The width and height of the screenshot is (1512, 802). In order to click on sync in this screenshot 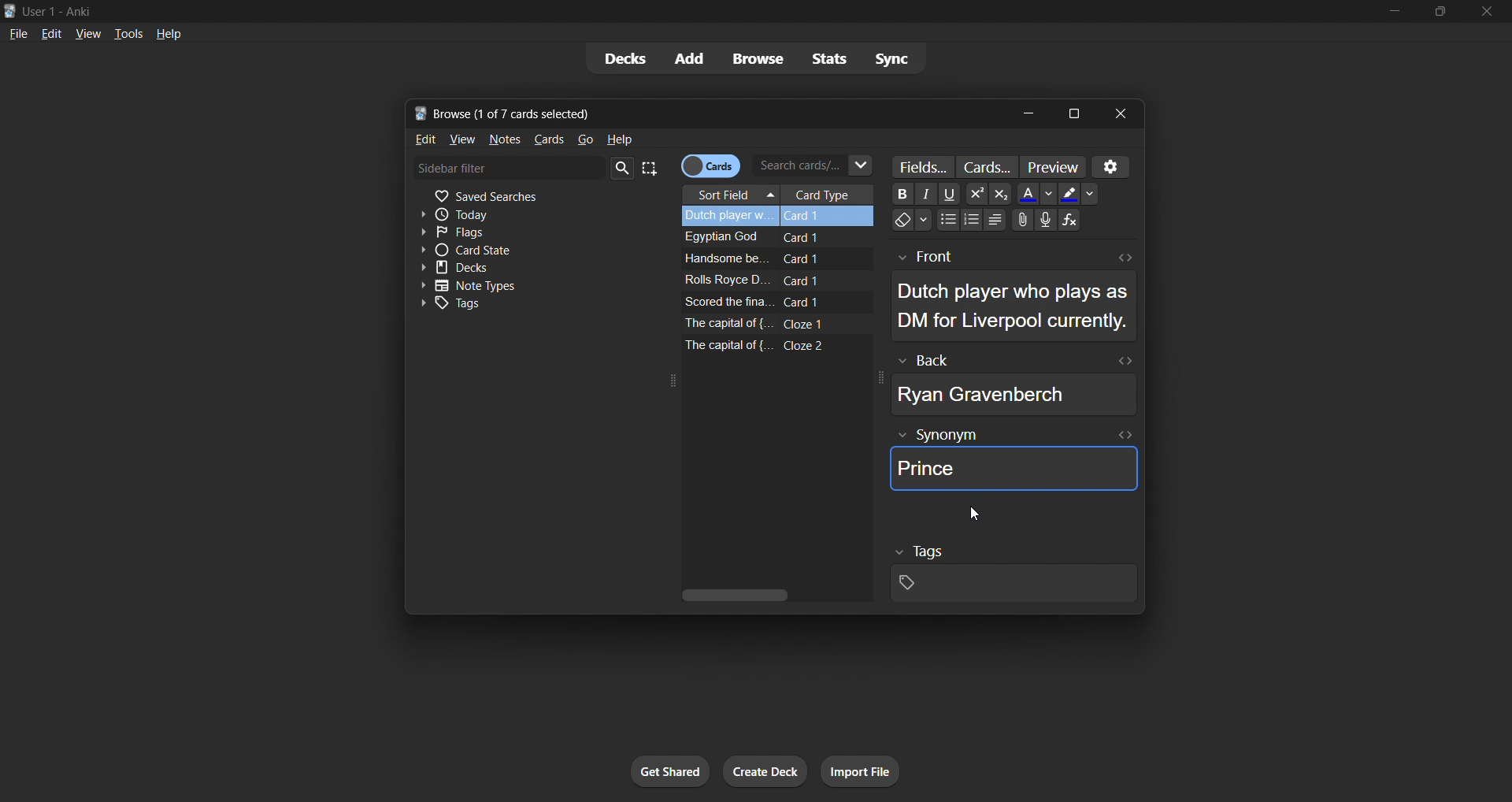, I will do `click(896, 58)`.